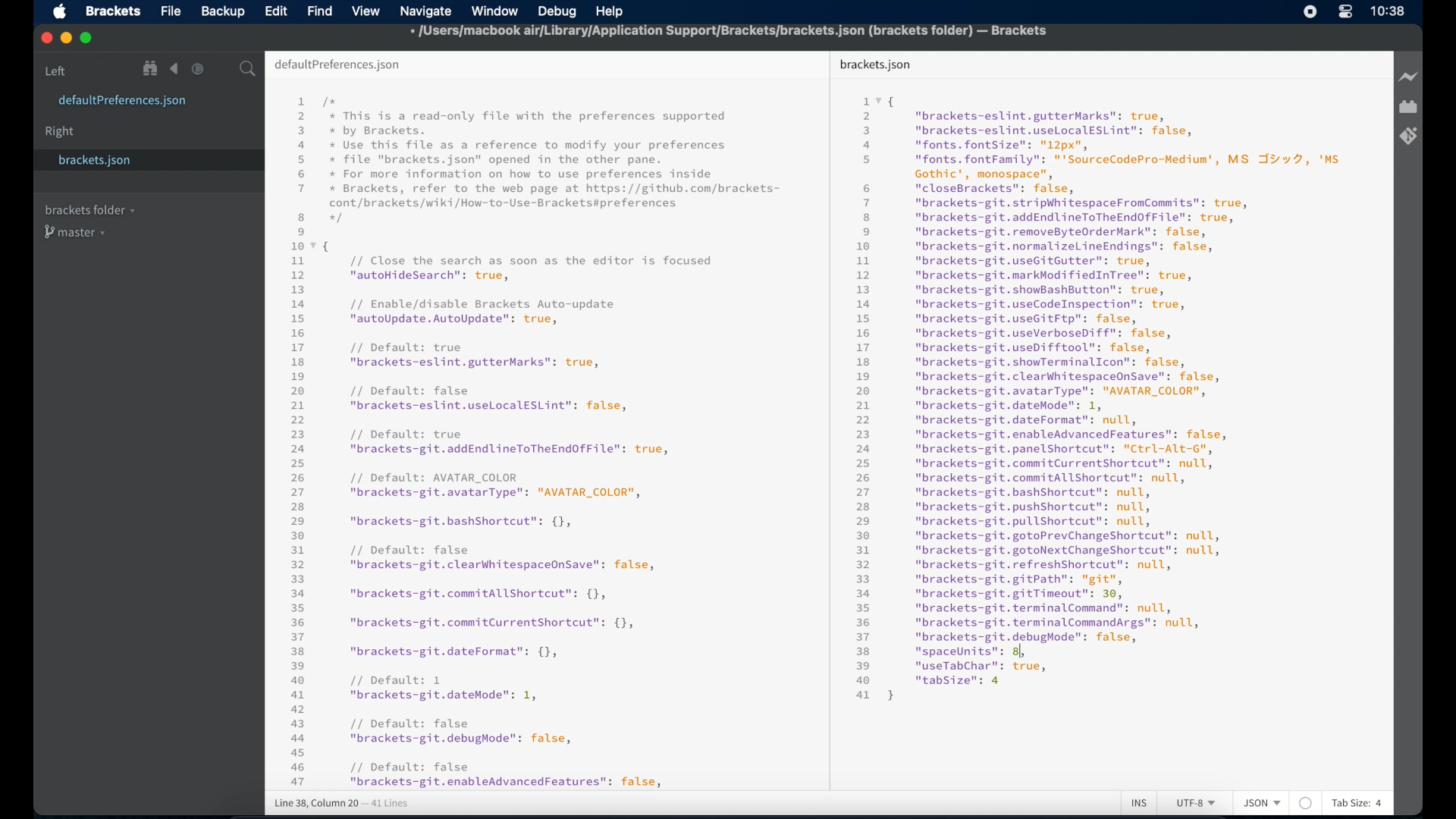 This screenshot has height=819, width=1456. I want to click on live preview, so click(1410, 77).